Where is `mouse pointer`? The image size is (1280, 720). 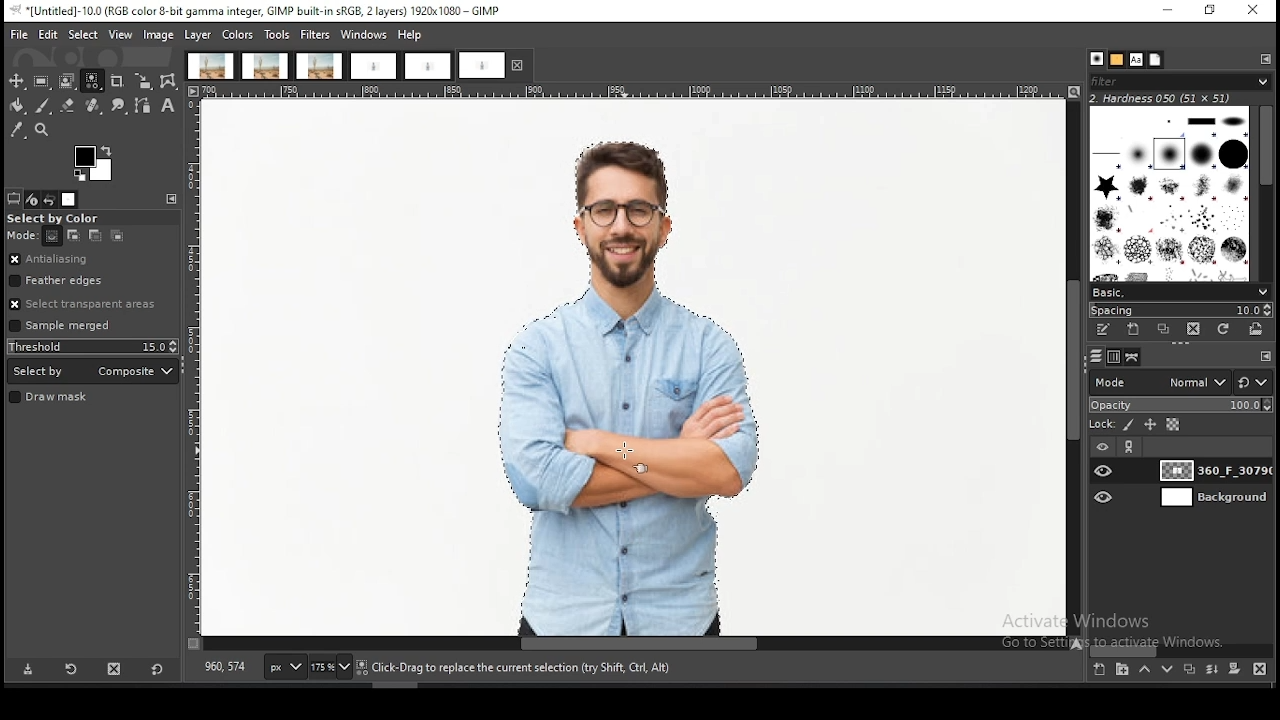
mouse pointer is located at coordinates (623, 453).